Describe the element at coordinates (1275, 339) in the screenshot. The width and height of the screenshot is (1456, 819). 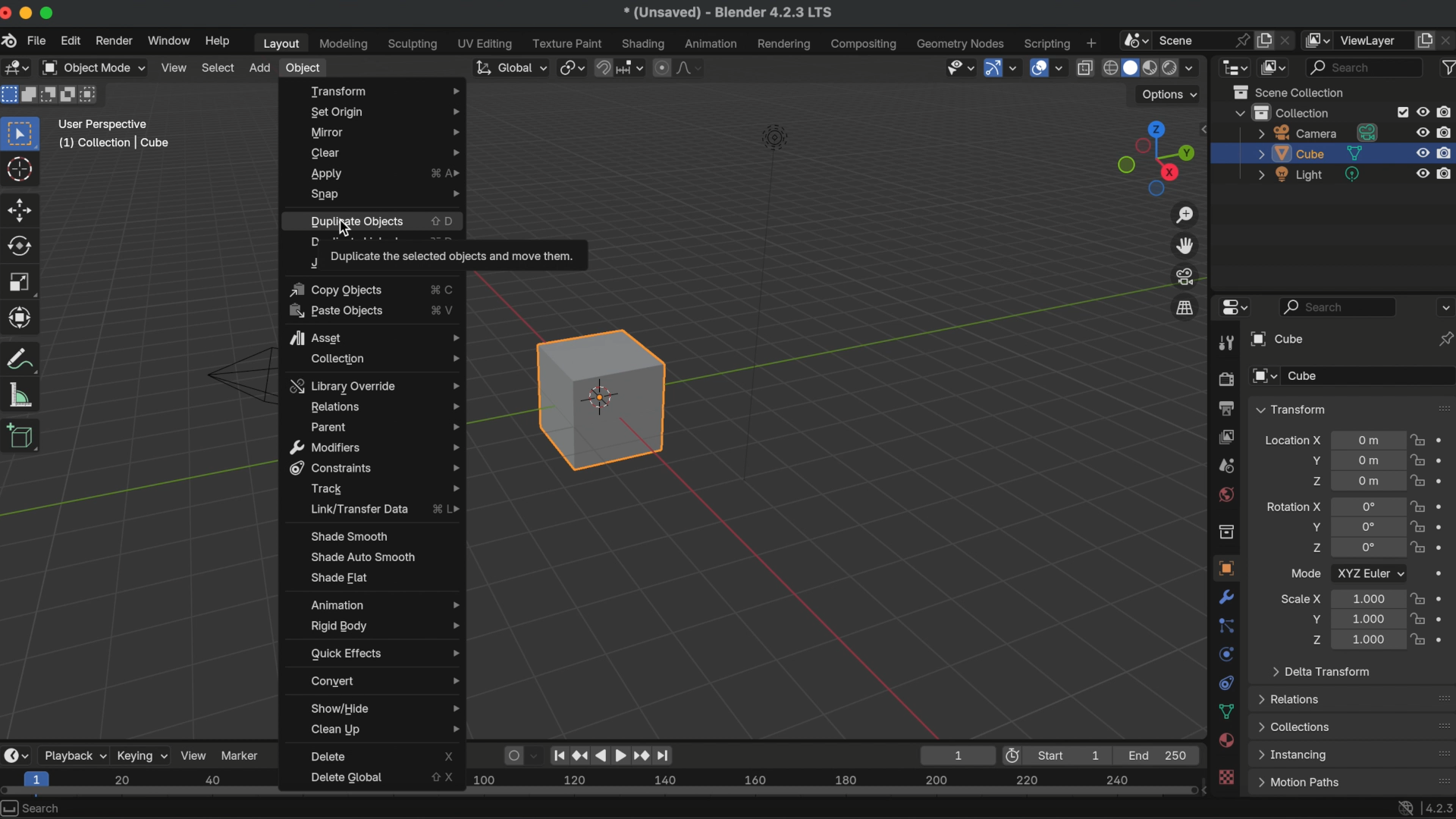
I see `cube` at that location.